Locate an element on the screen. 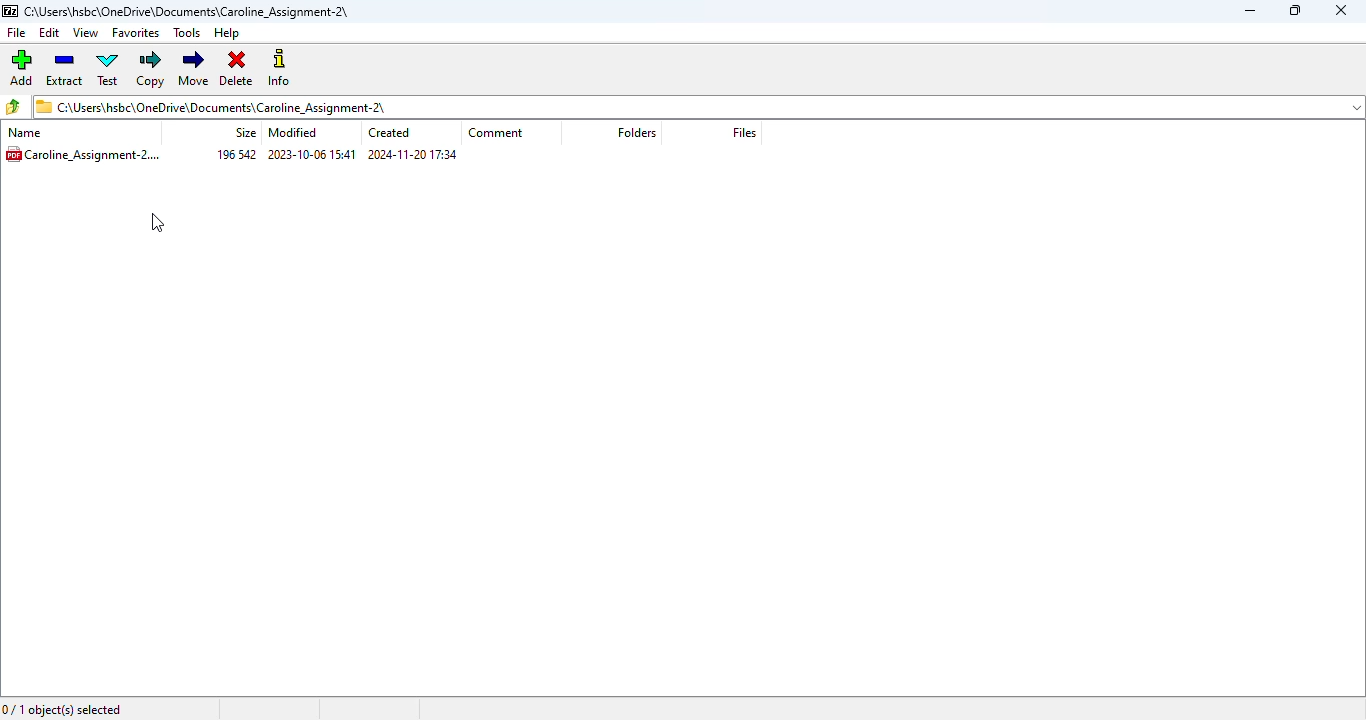 The image size is (1366, 720). help is located at coordinates (225, 33).